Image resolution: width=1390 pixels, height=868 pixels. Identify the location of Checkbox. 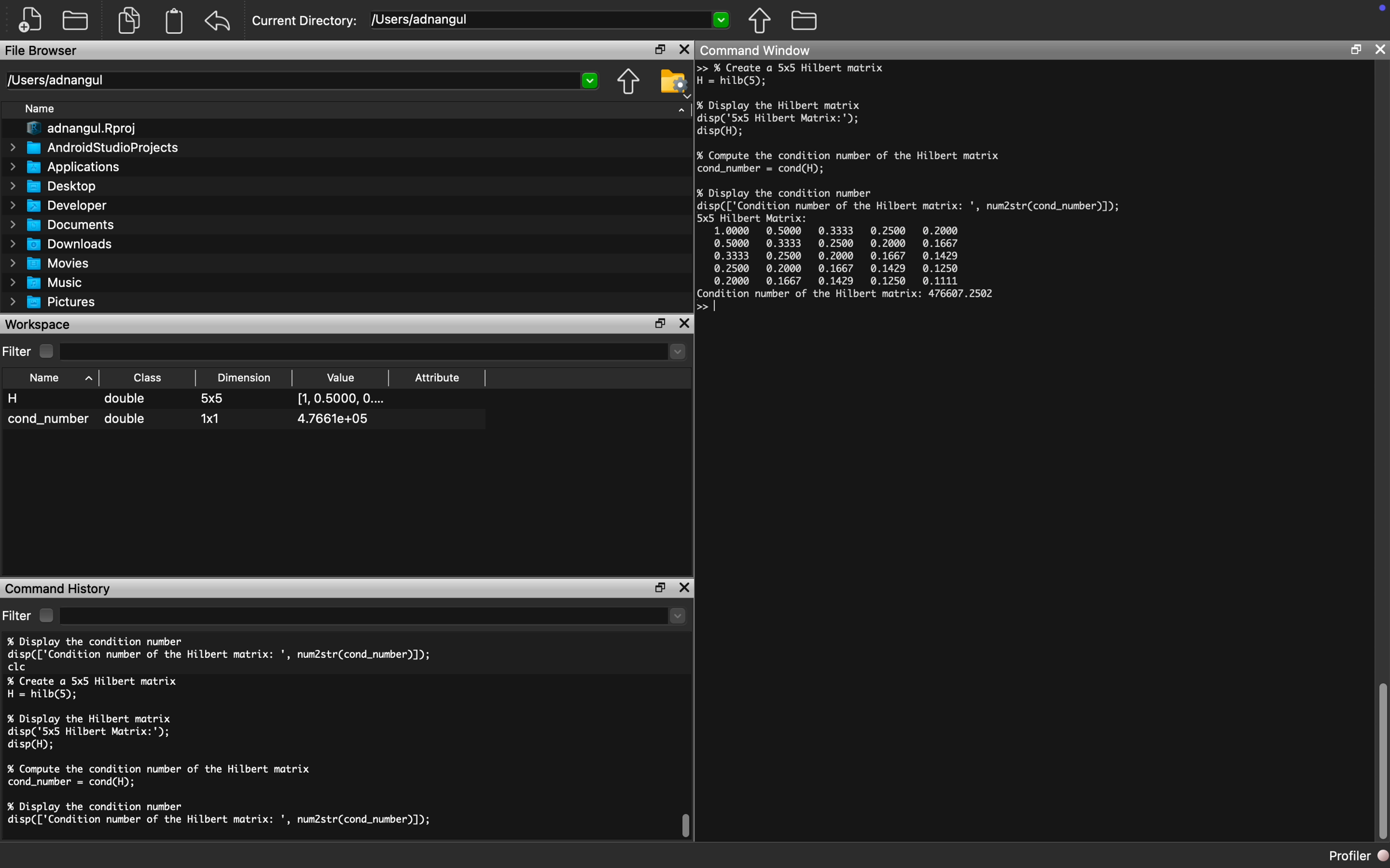
(46, 350).